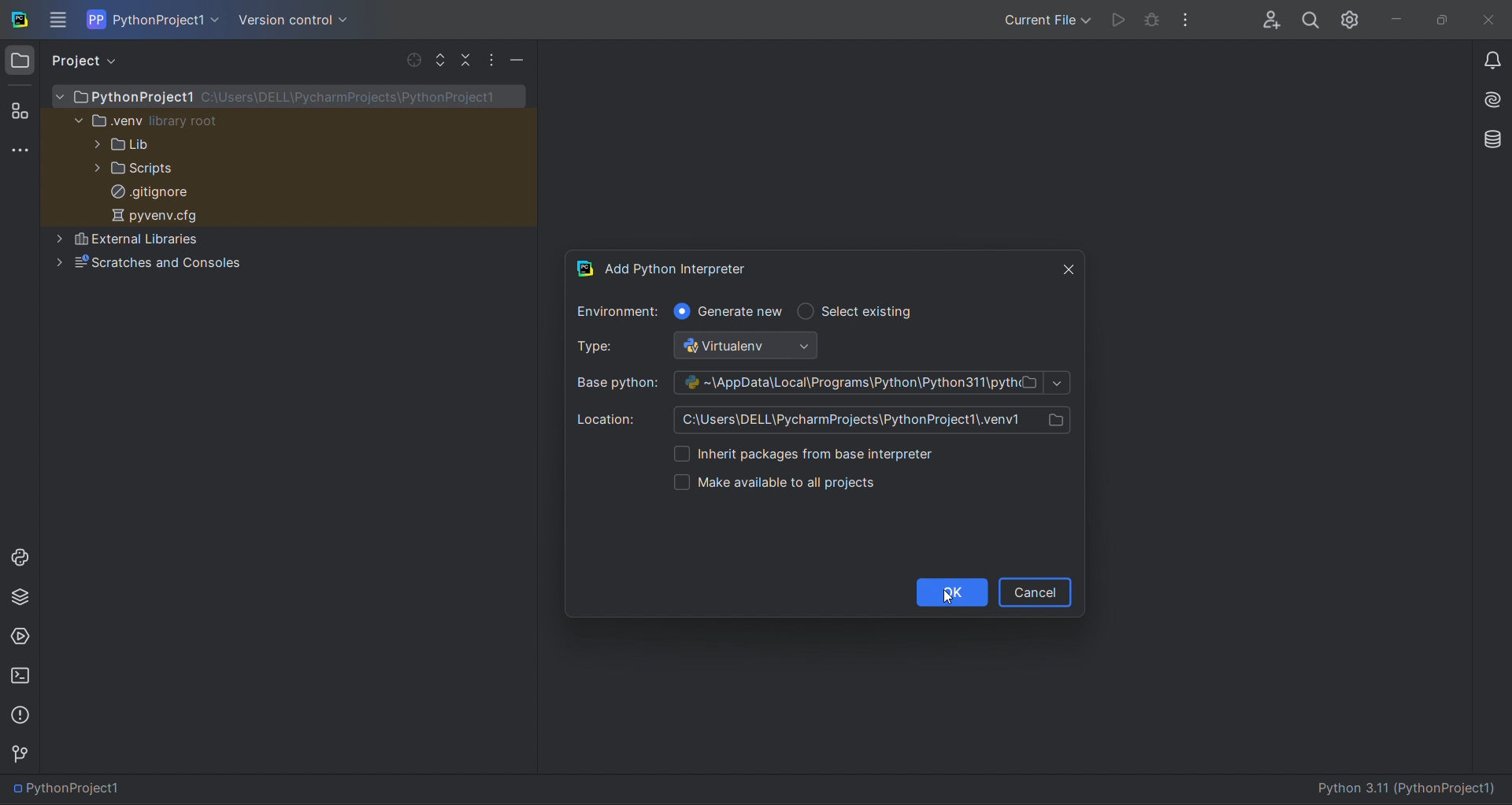  What do you see at coordinates (18, 556) in the screenshot?
I see `python console` at bounding box center [18, 556].